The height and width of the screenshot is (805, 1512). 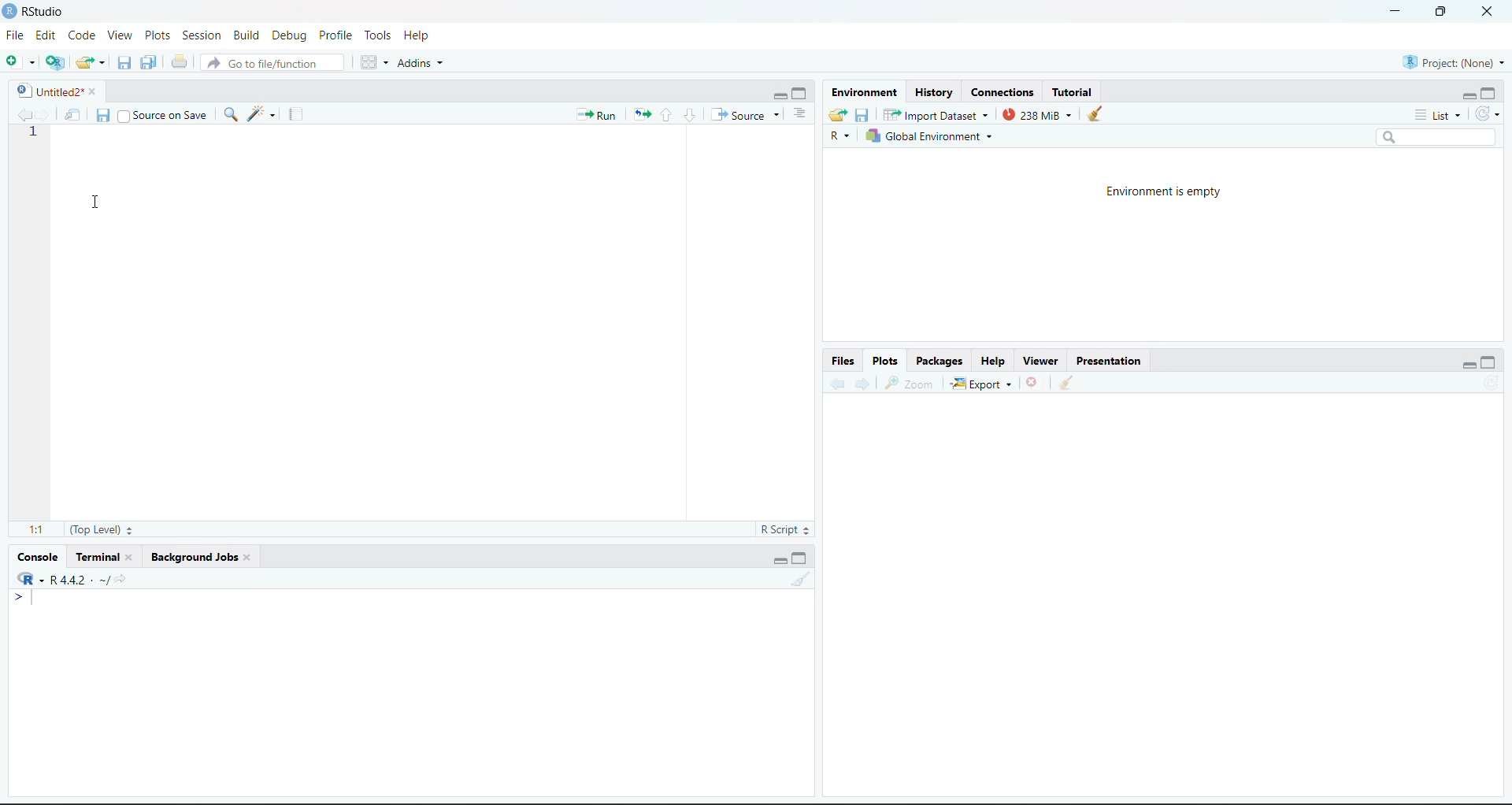 I want to click on down, so click(x=689, y=115).